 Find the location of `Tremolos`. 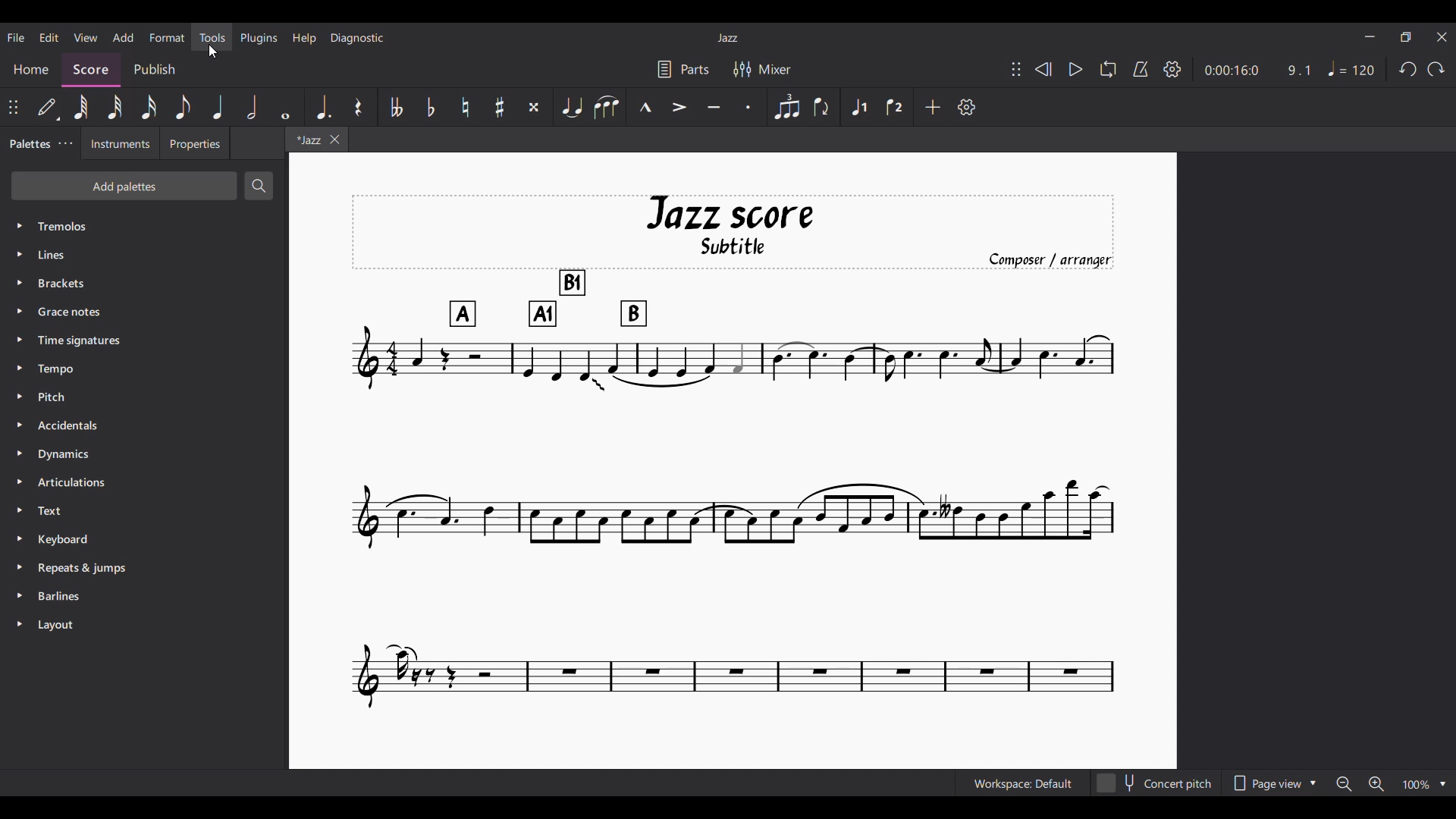

Tremolos is located at coordinates (143, 227).